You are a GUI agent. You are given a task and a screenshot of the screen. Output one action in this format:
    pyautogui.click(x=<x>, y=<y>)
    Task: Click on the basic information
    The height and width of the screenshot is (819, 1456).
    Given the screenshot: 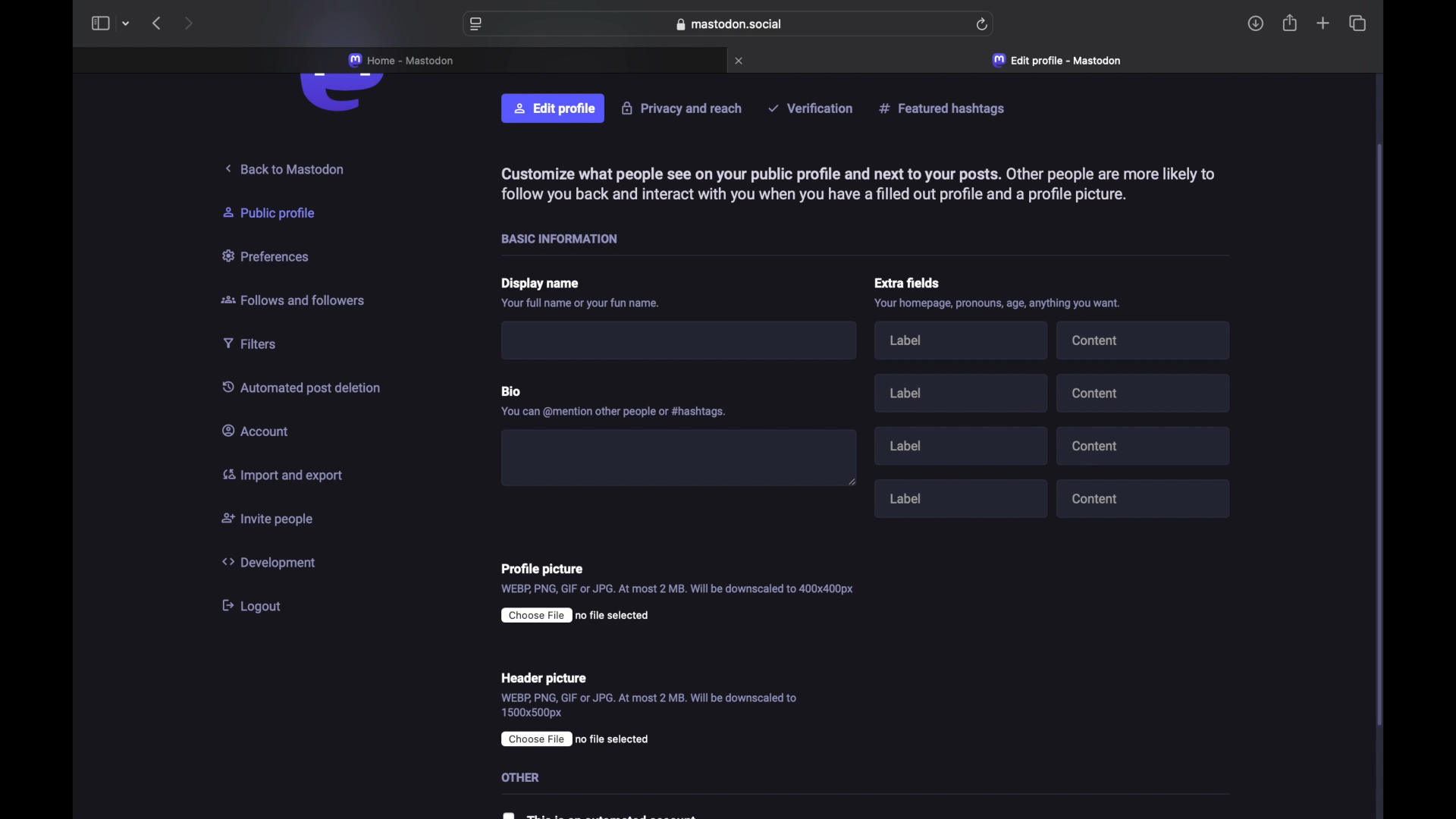 What is the action you would take?
    pyautogui.click(x=563, y=238)
    